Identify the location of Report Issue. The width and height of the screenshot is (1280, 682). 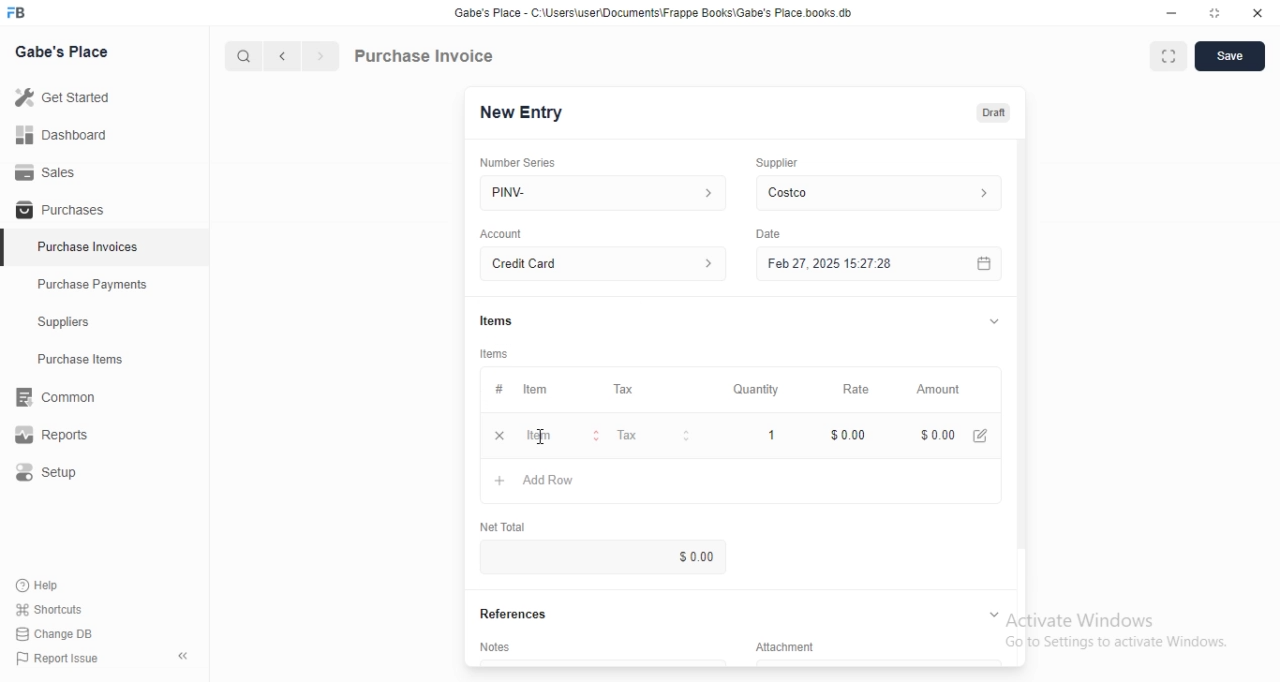
(58, 658).